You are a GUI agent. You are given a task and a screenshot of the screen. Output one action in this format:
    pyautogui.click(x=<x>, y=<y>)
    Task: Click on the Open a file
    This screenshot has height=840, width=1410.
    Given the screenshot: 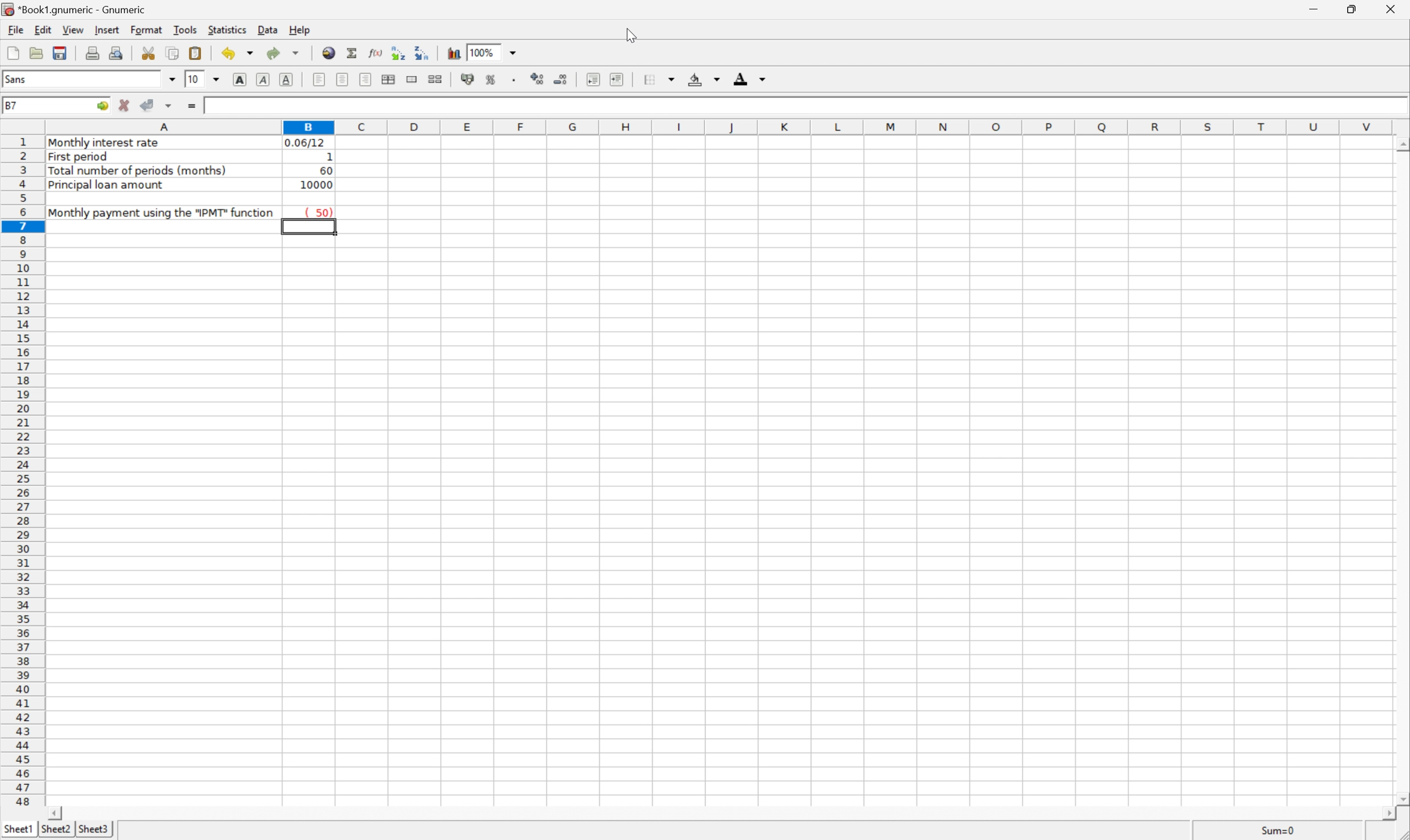 What is the action you would take?
    pyautogui.click(x=37, y=53)
    